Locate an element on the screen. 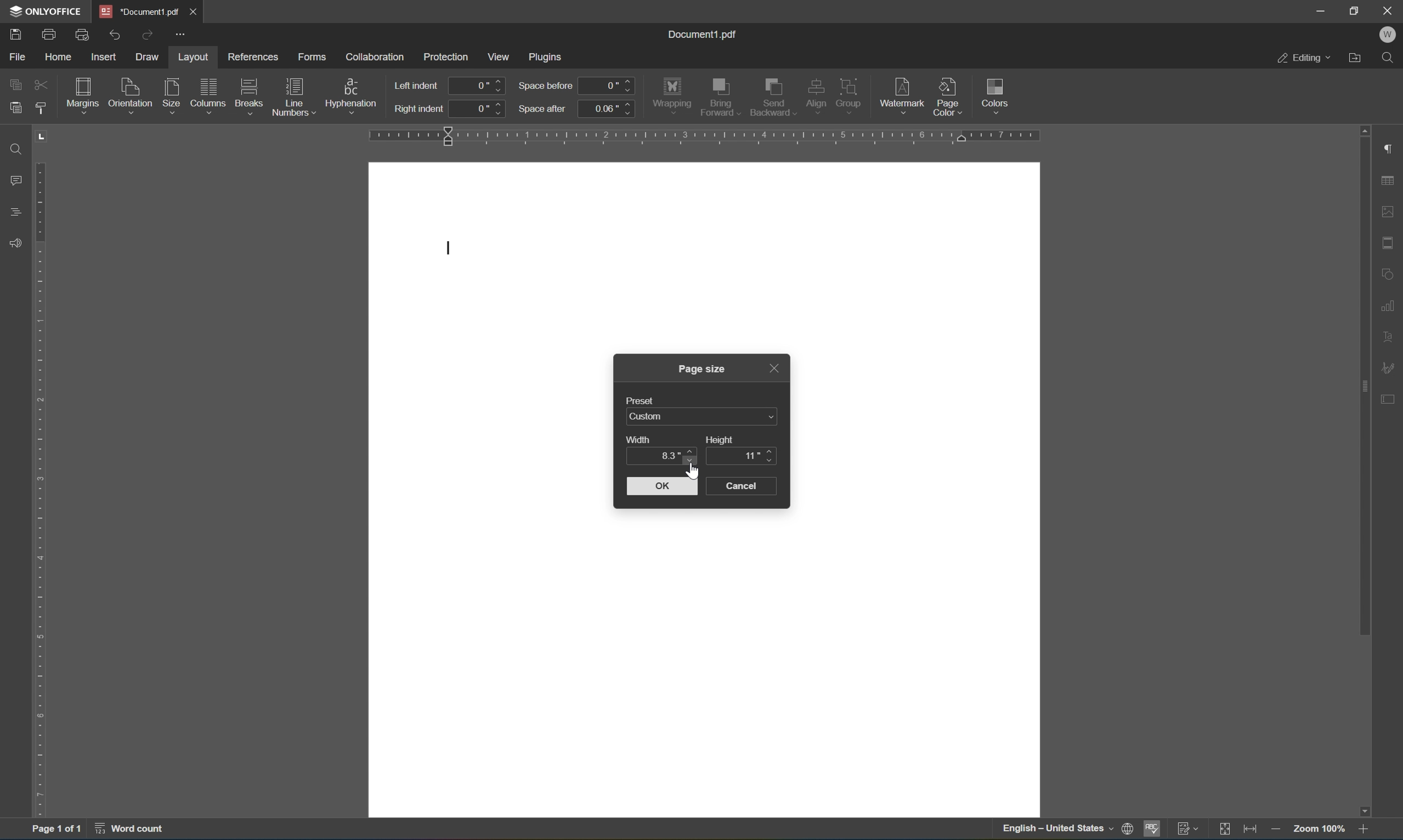 Image resolution: width=1403 pixels, height=840 pixels. Find is located at coordinates (13, 148).